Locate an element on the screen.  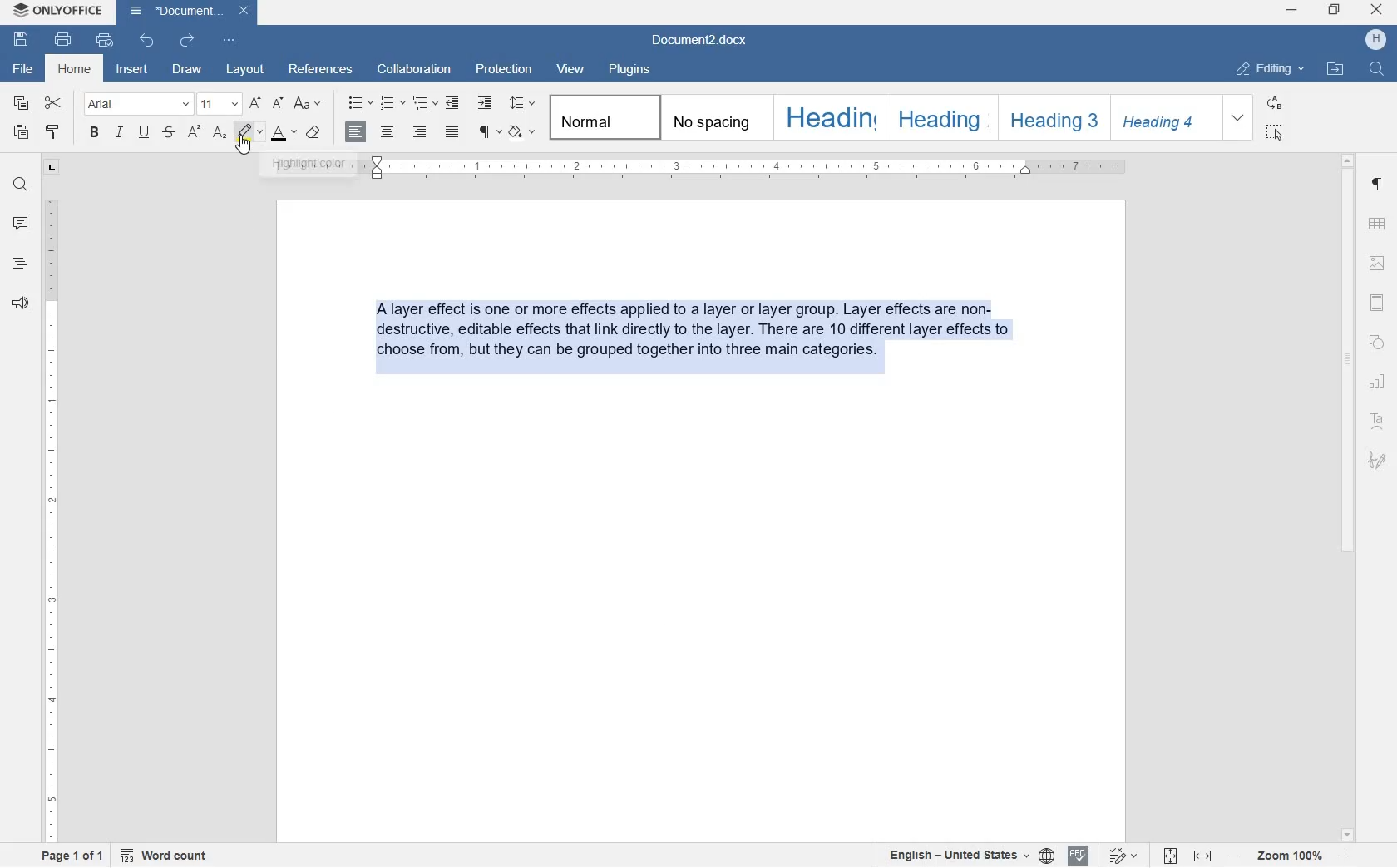
CHANGE CASE is located at coordinates (309, 104).